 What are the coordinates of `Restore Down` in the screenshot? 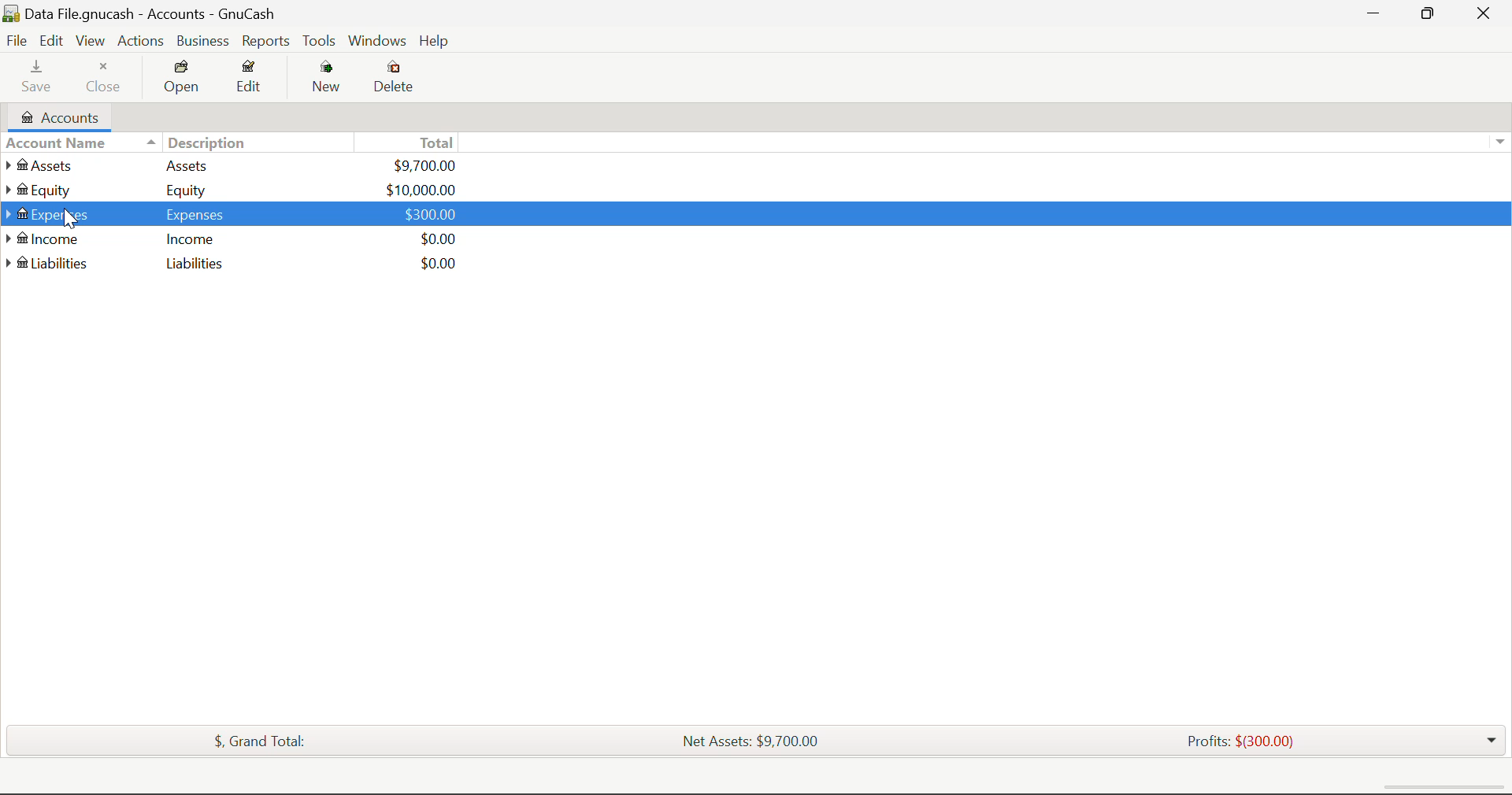 It's located at (1376, 17).